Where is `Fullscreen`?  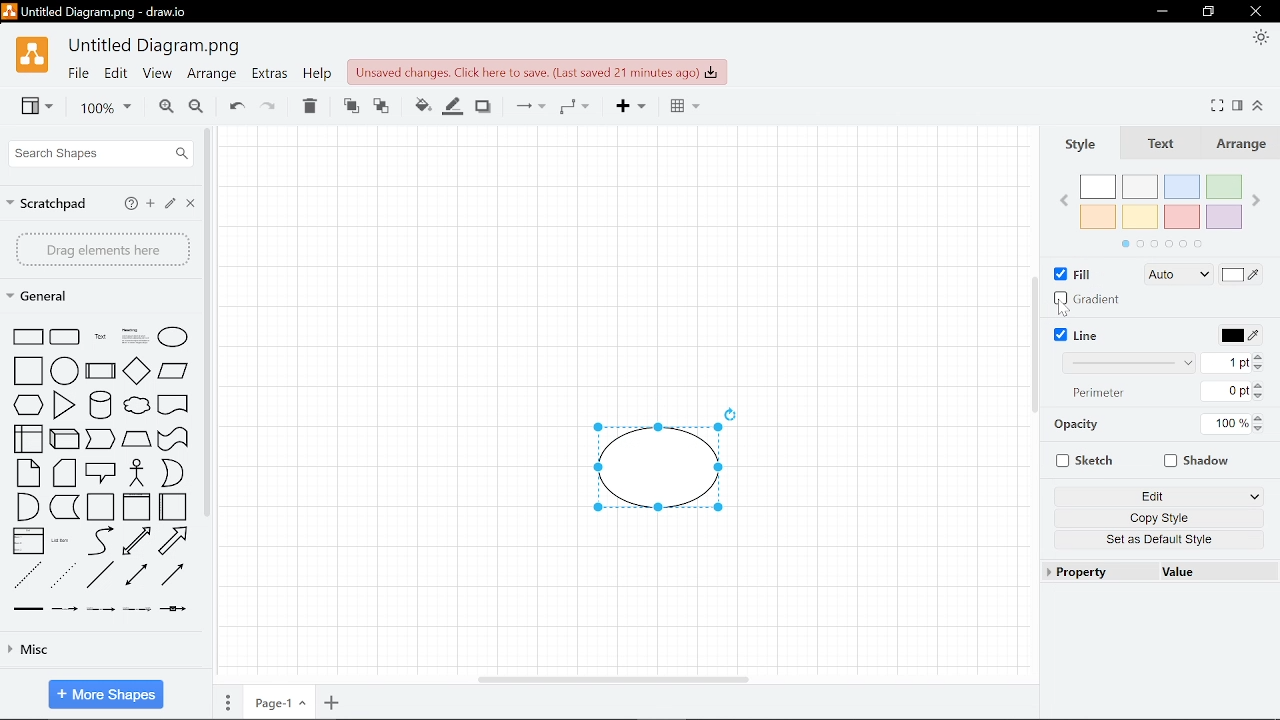
Fullscreen is located at coordinates (1219, 105).